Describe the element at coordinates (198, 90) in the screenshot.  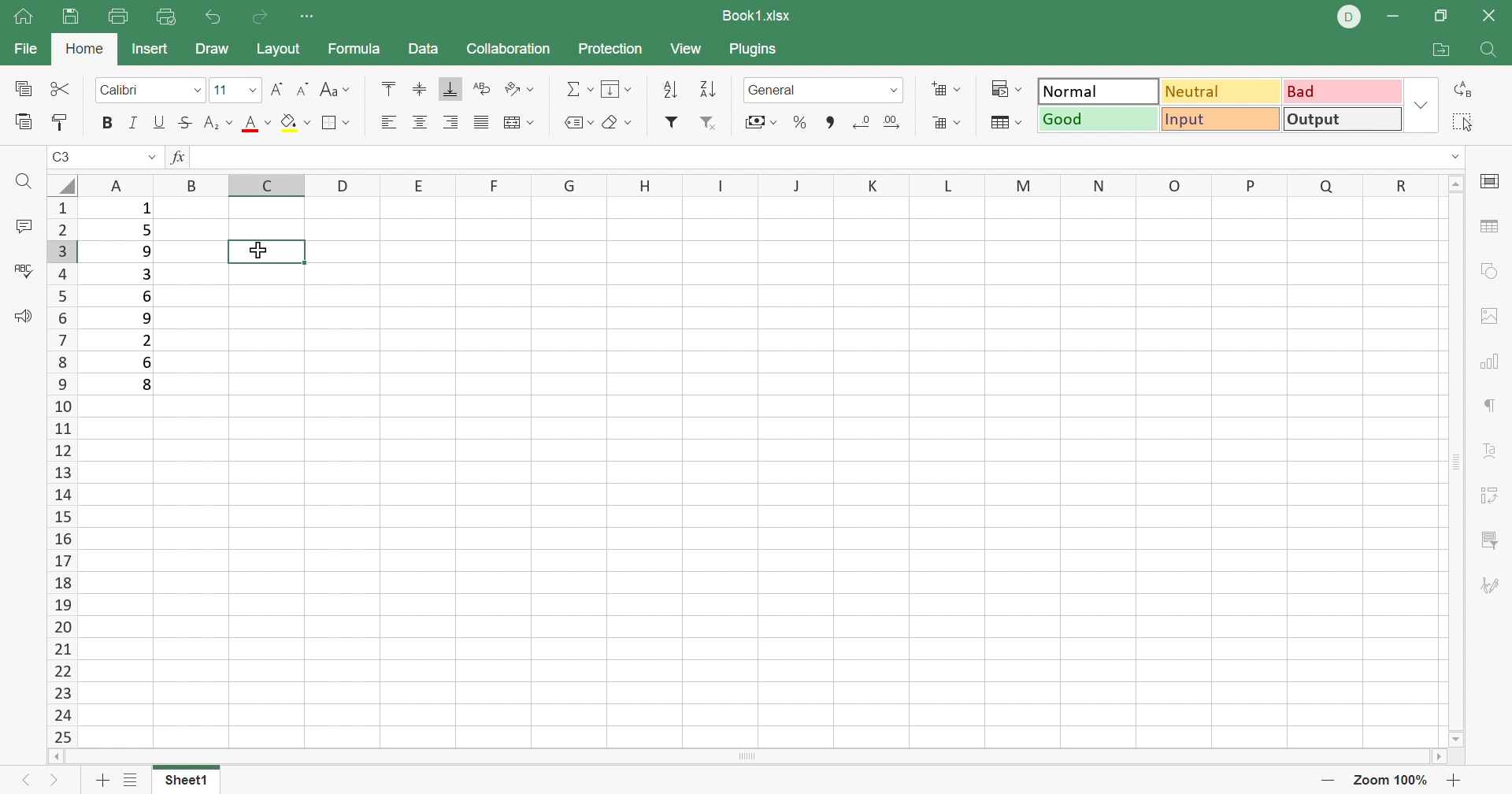
I see `Drop Down` at that location.